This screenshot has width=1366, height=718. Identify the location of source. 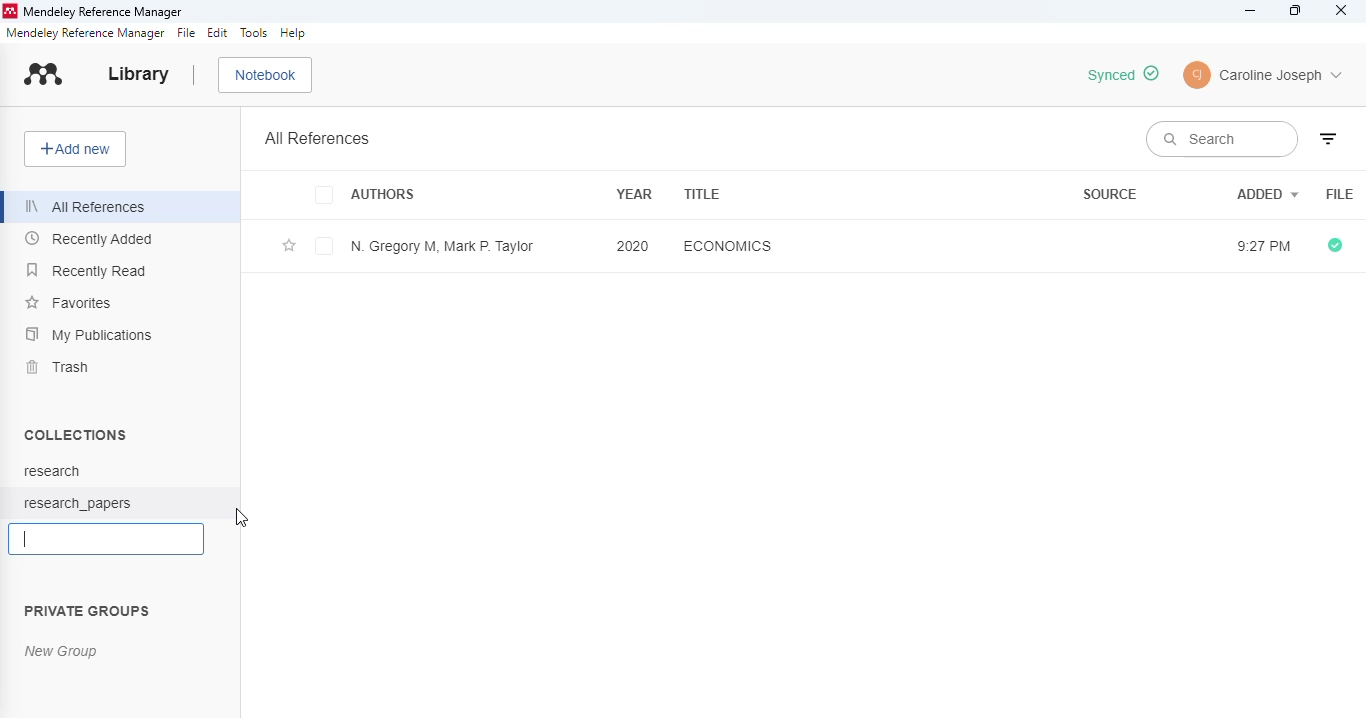
(1110, 194).